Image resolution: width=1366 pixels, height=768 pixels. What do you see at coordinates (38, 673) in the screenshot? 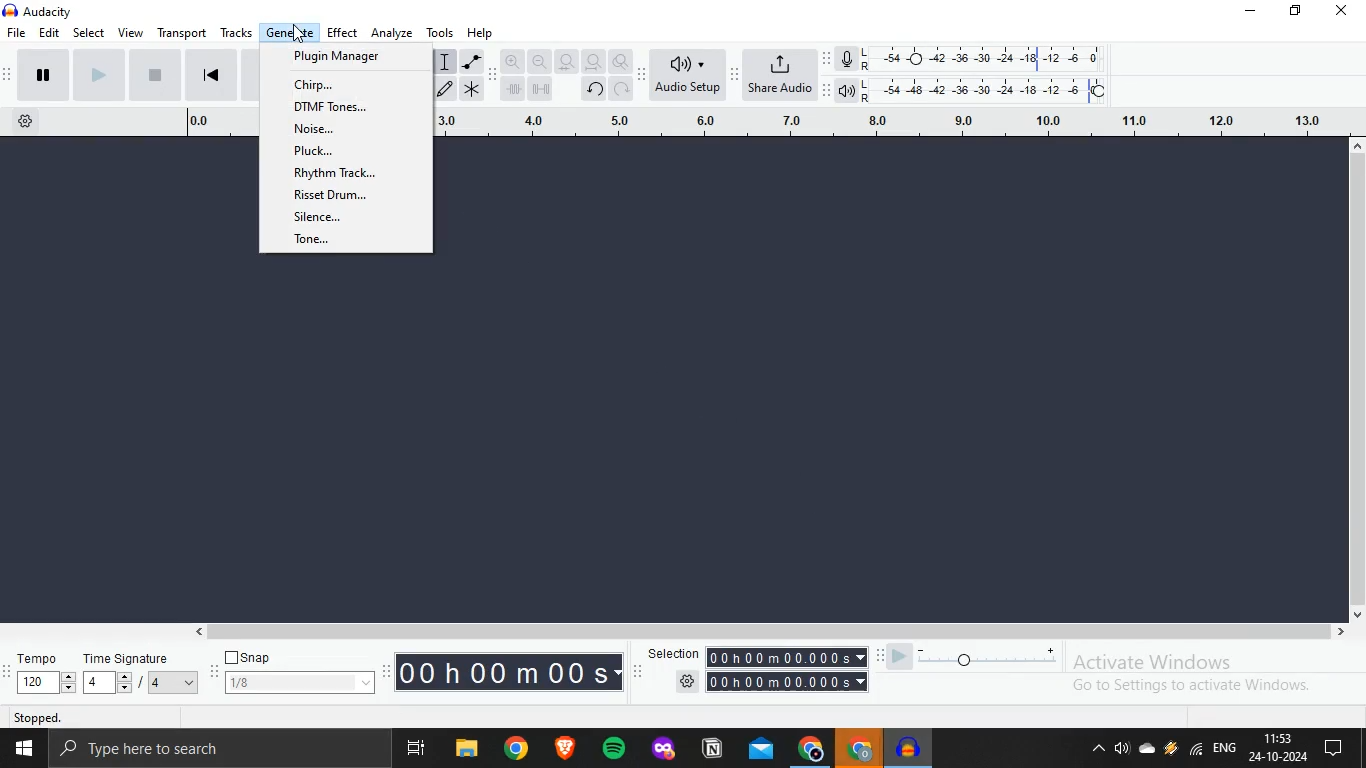
I see `Tempo` at bounding box center [38, 673].